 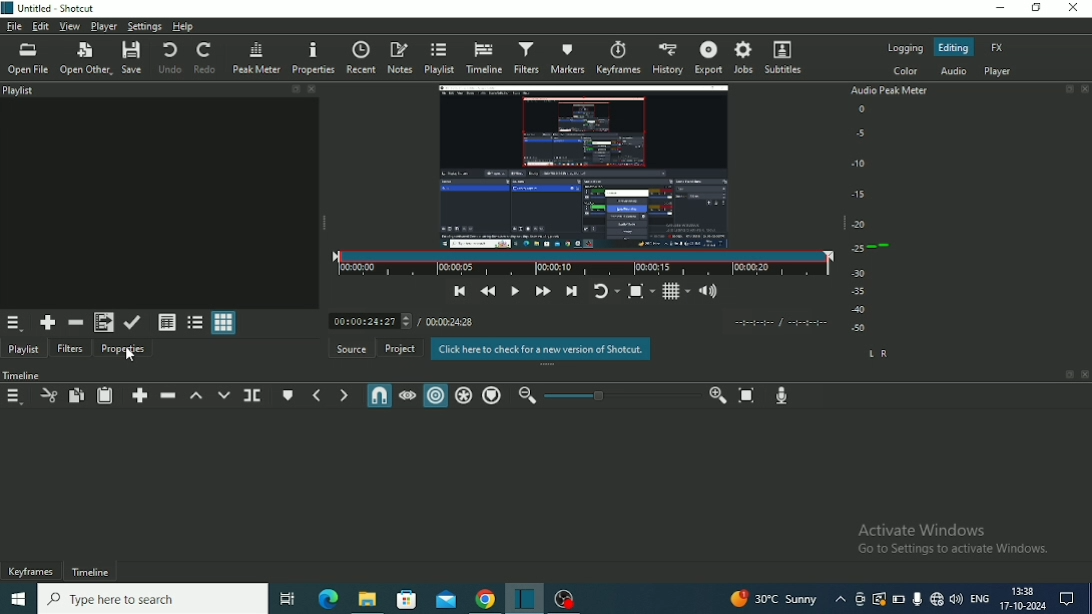 What do you see at coordinates (523, 598) in the screenshot?
I see `Shotcut` at bounding box center [523, 598].